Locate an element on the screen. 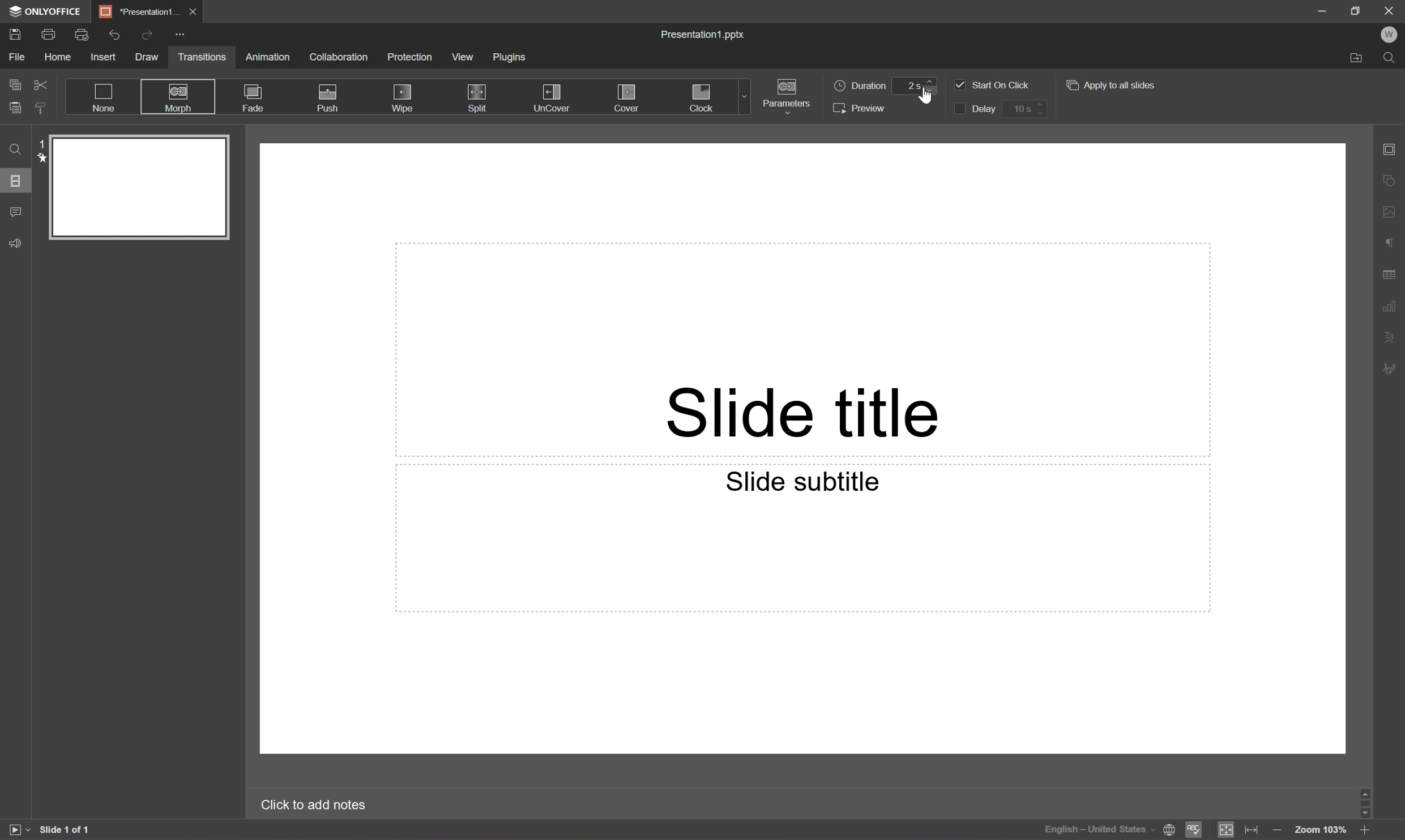  Copy style is located at coordinates (41, 108).